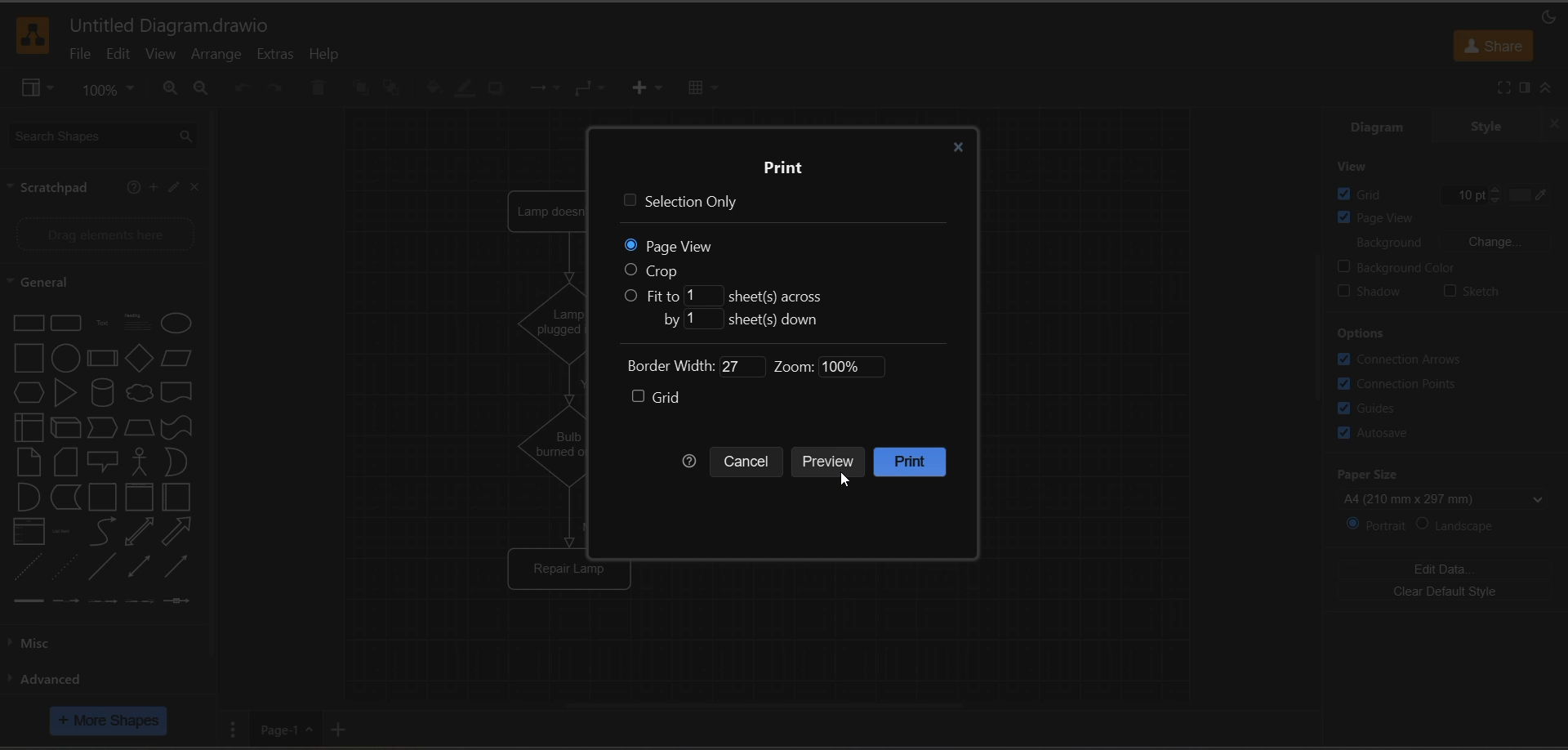  I want to click on line color, so click(463, 90).